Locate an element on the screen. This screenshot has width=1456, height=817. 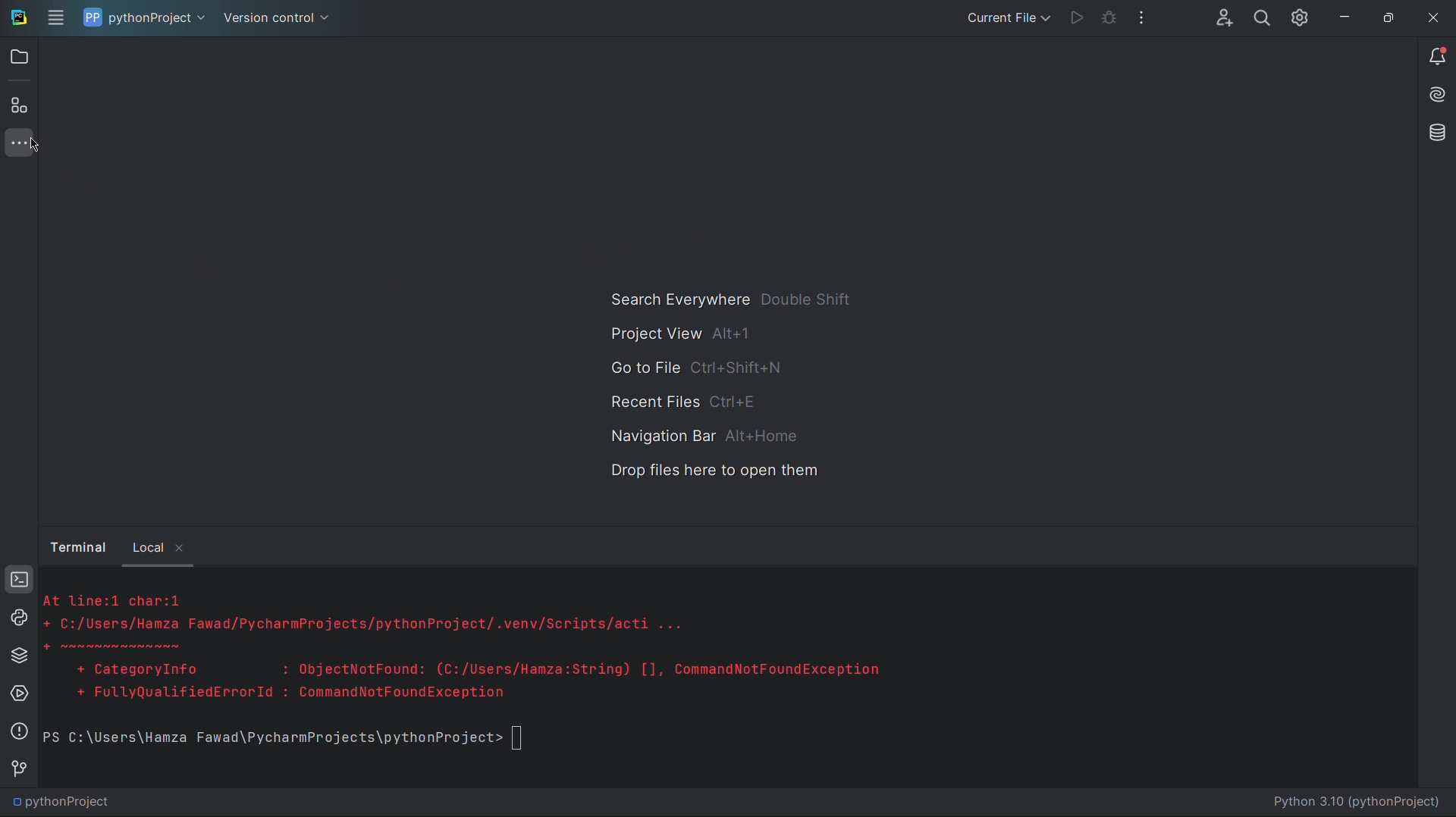
pythonProject is located at coordinates (146, 19).